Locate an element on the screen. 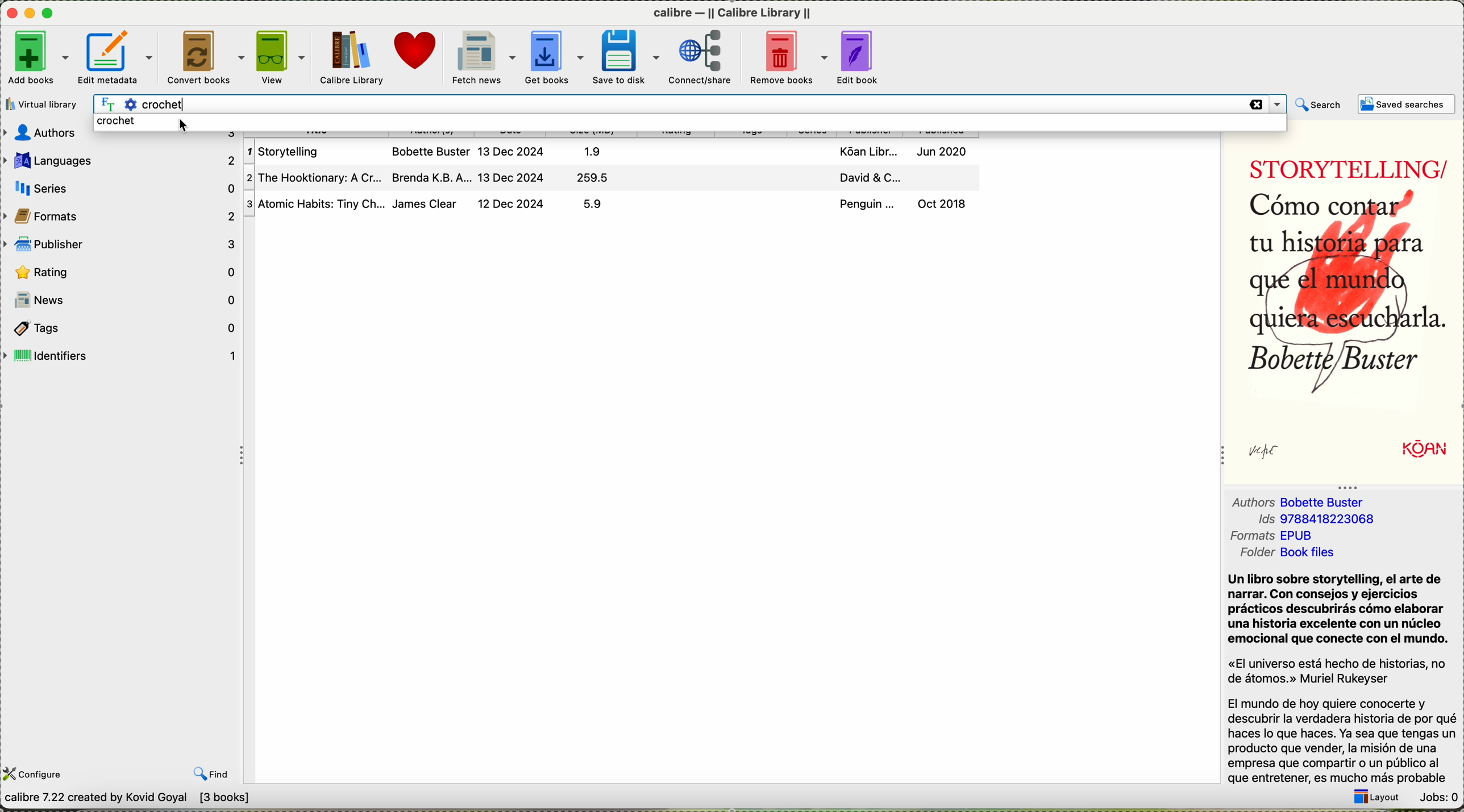 The height and width of the screenshot is (812, 1464). EPUB is located at coordinates (1303, 536).